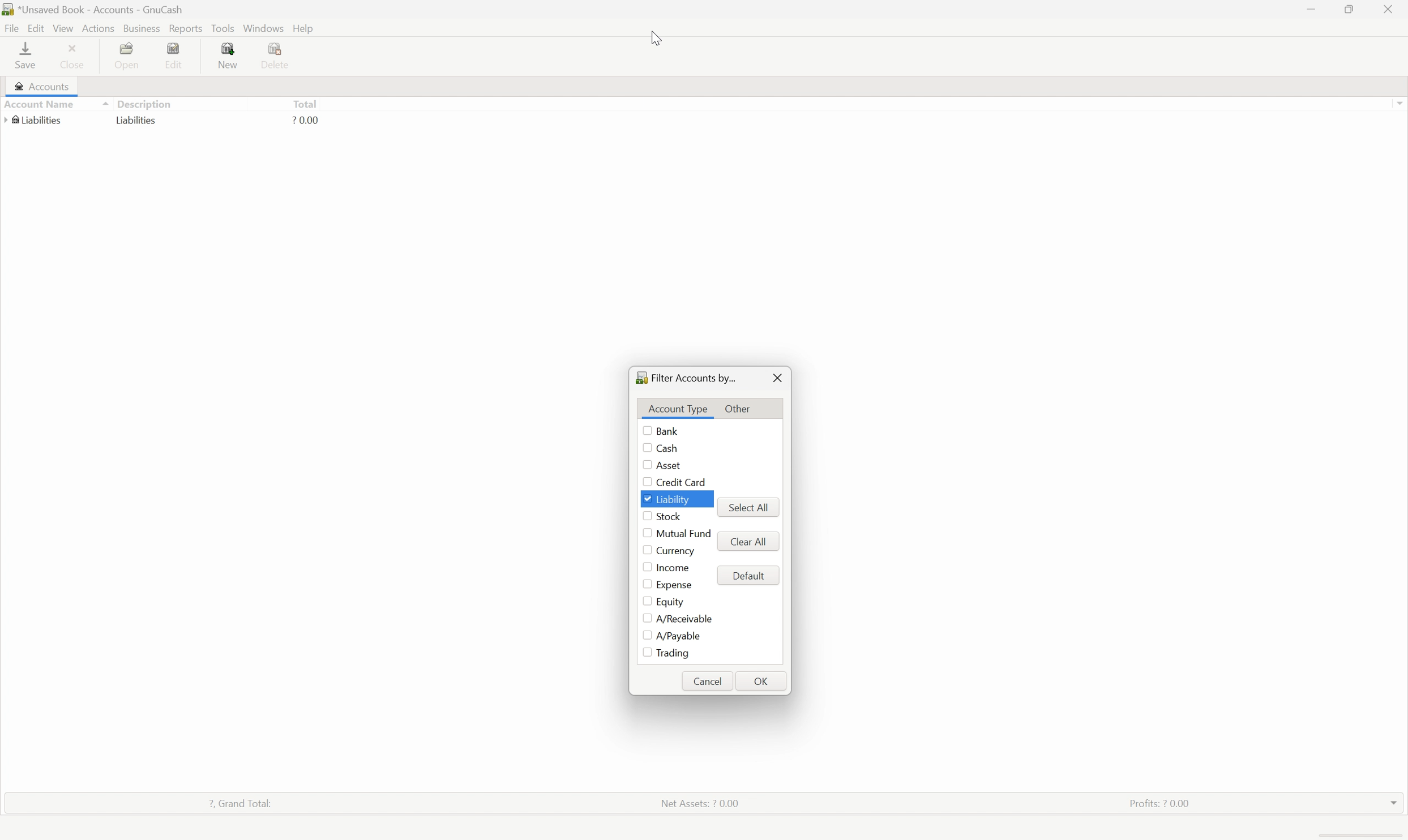  I want to click on Checkbox, so click(645, 583).